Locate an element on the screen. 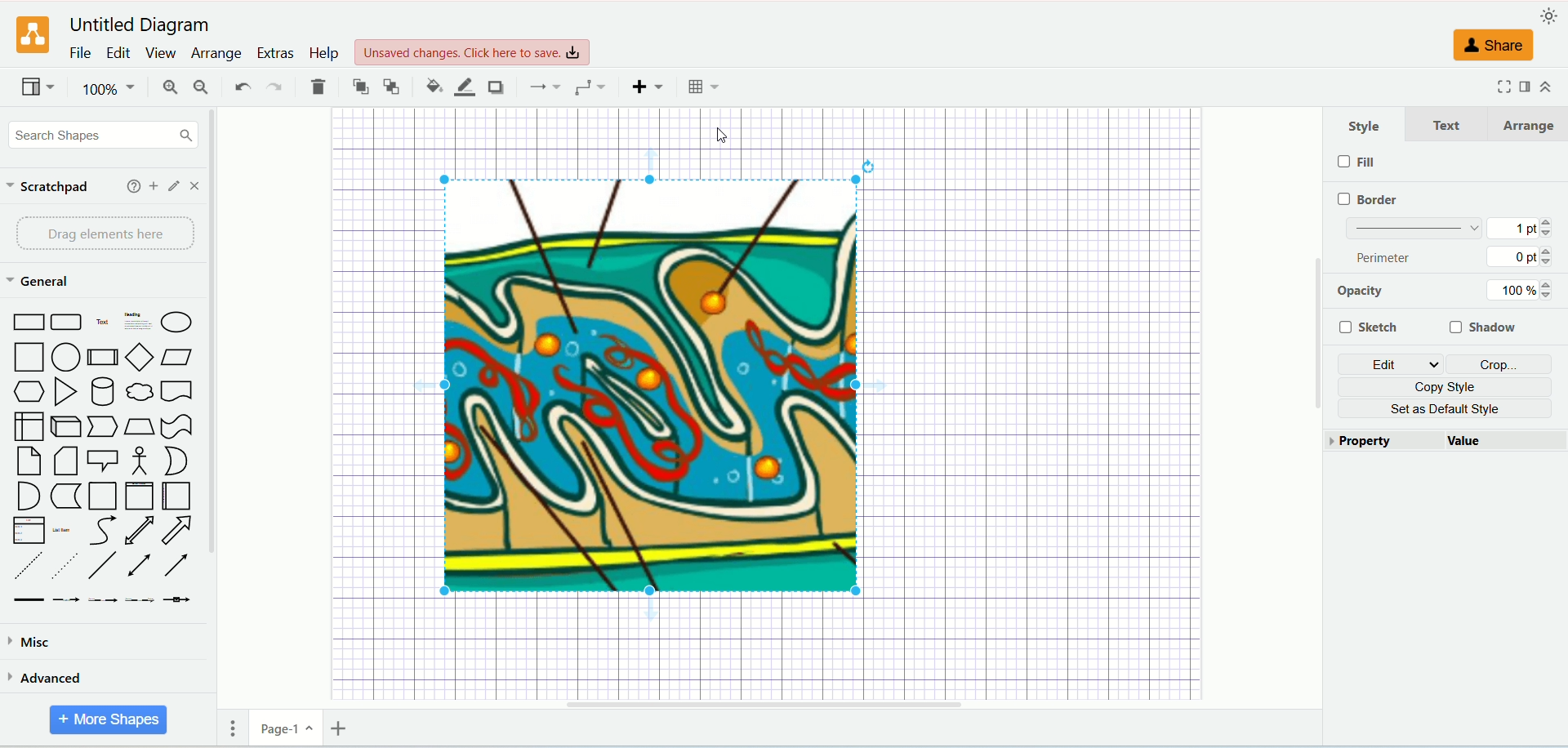 This screenshot has width=1568, height=748. waypoints is located at coordinates (589, 88).